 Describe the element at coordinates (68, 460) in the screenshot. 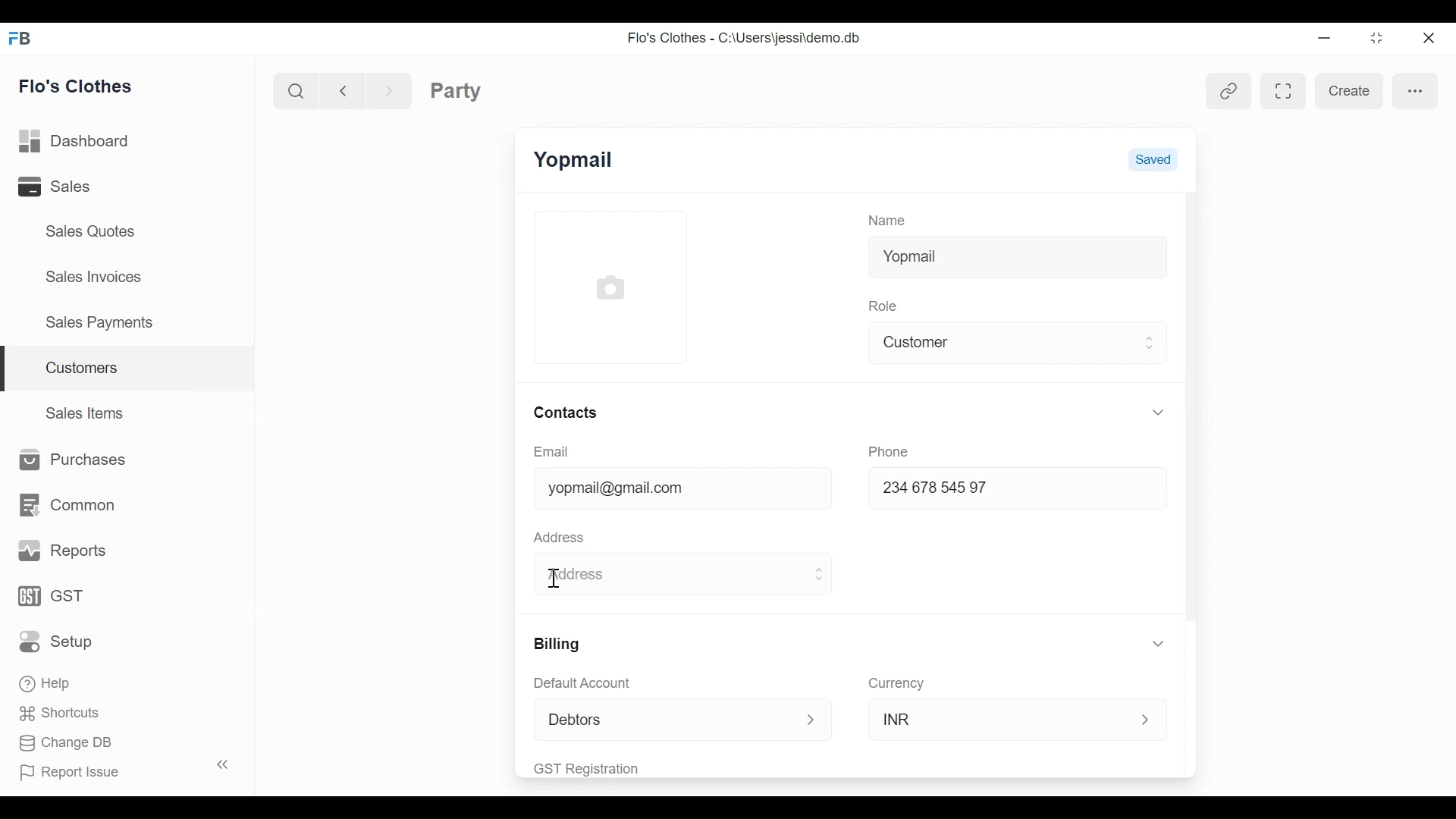

I see `Purchases` at that location.